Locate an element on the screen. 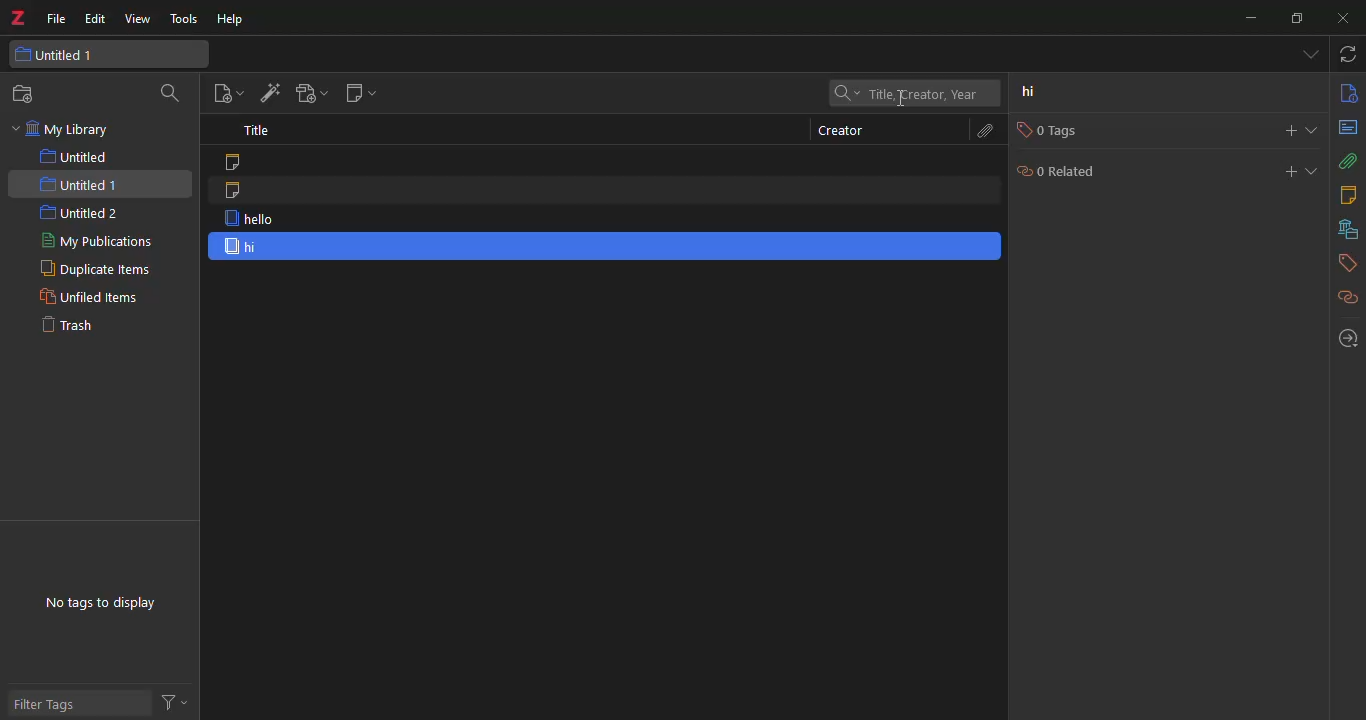 This screenshot has height=720, width=1366. related is located at coordinates (1347, 298).